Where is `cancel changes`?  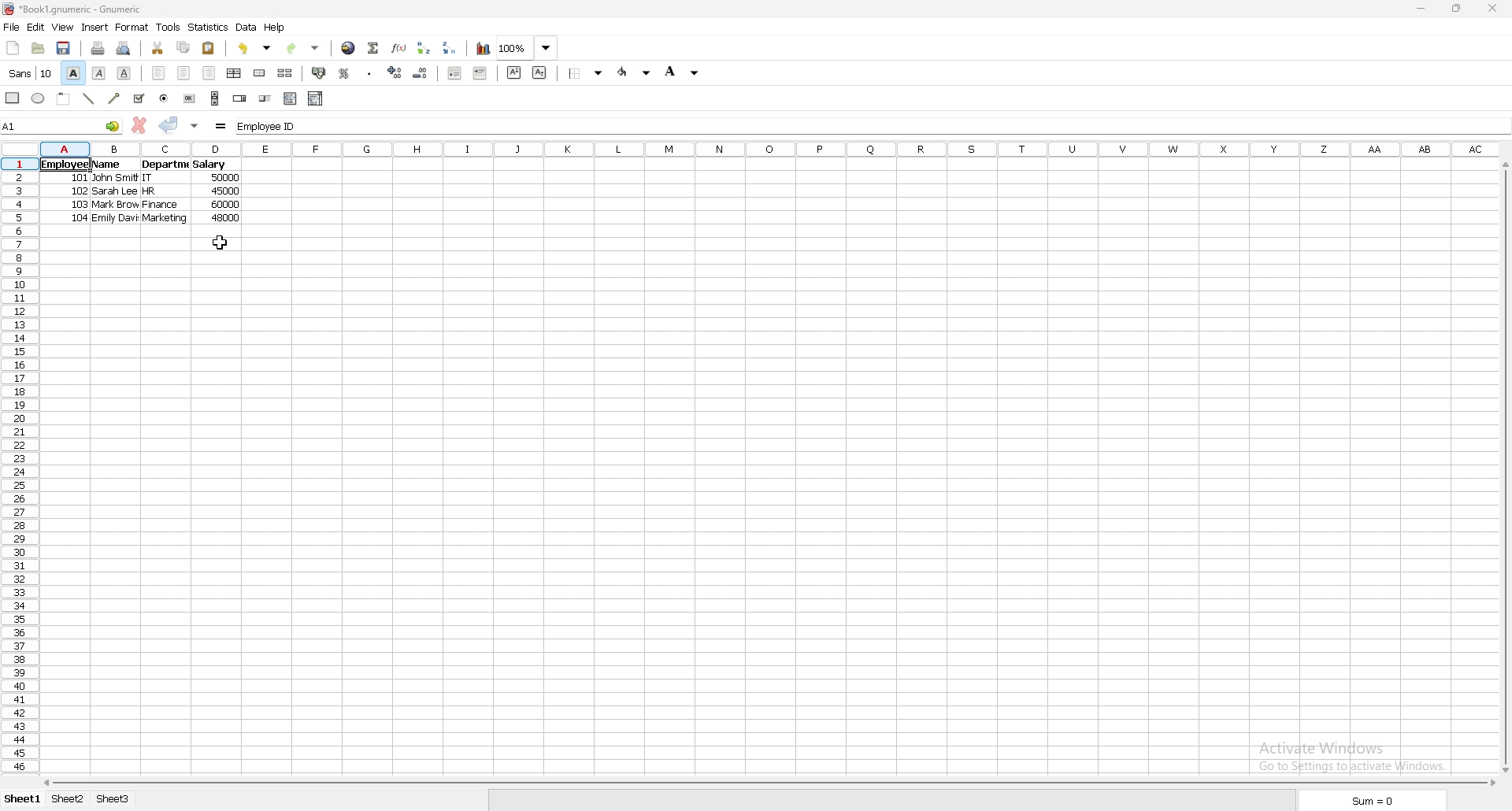 cancel changes is located at coordinates (139, 125).